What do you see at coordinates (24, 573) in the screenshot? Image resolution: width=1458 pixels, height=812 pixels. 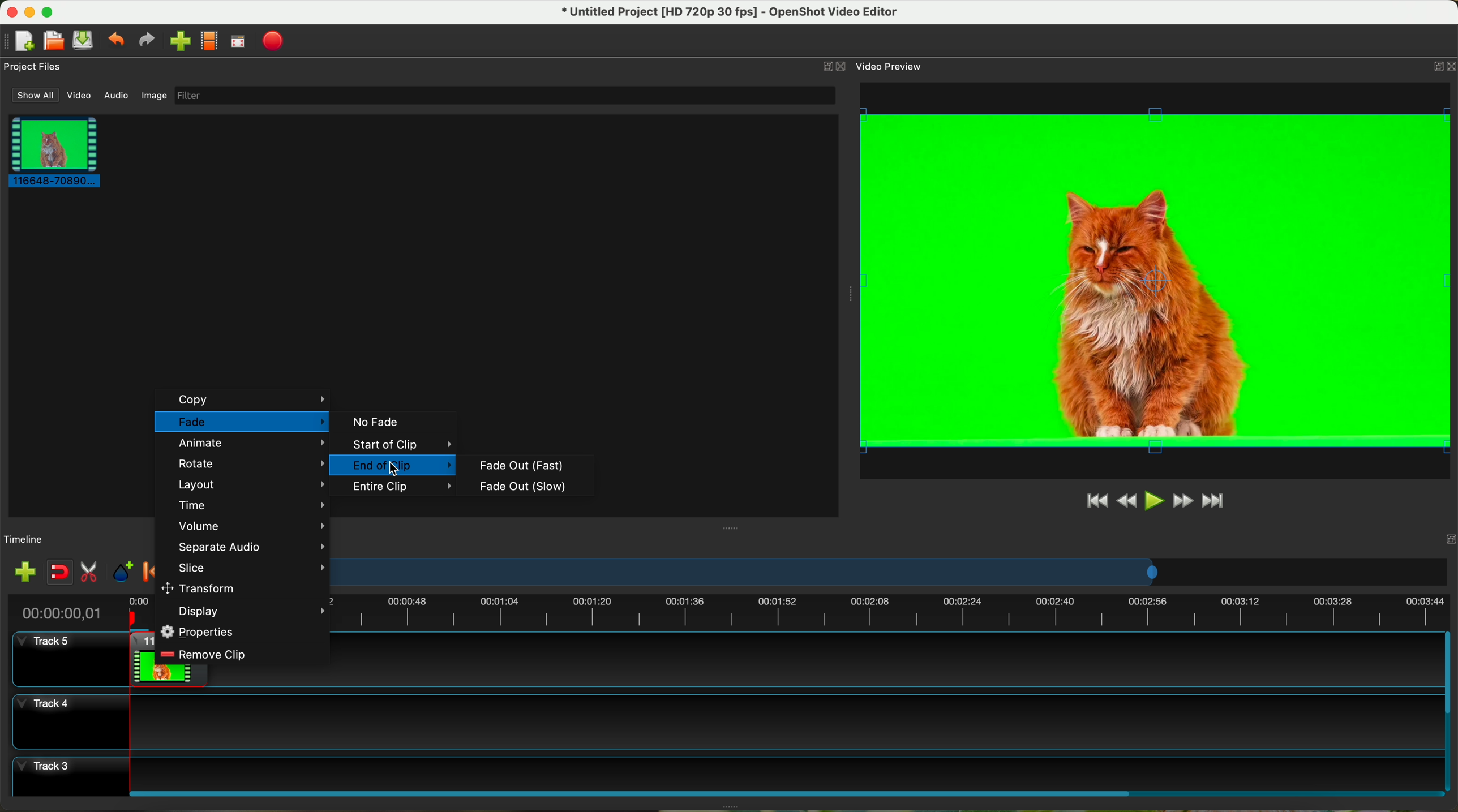 I see `import files` at bounding box center [24, 573].